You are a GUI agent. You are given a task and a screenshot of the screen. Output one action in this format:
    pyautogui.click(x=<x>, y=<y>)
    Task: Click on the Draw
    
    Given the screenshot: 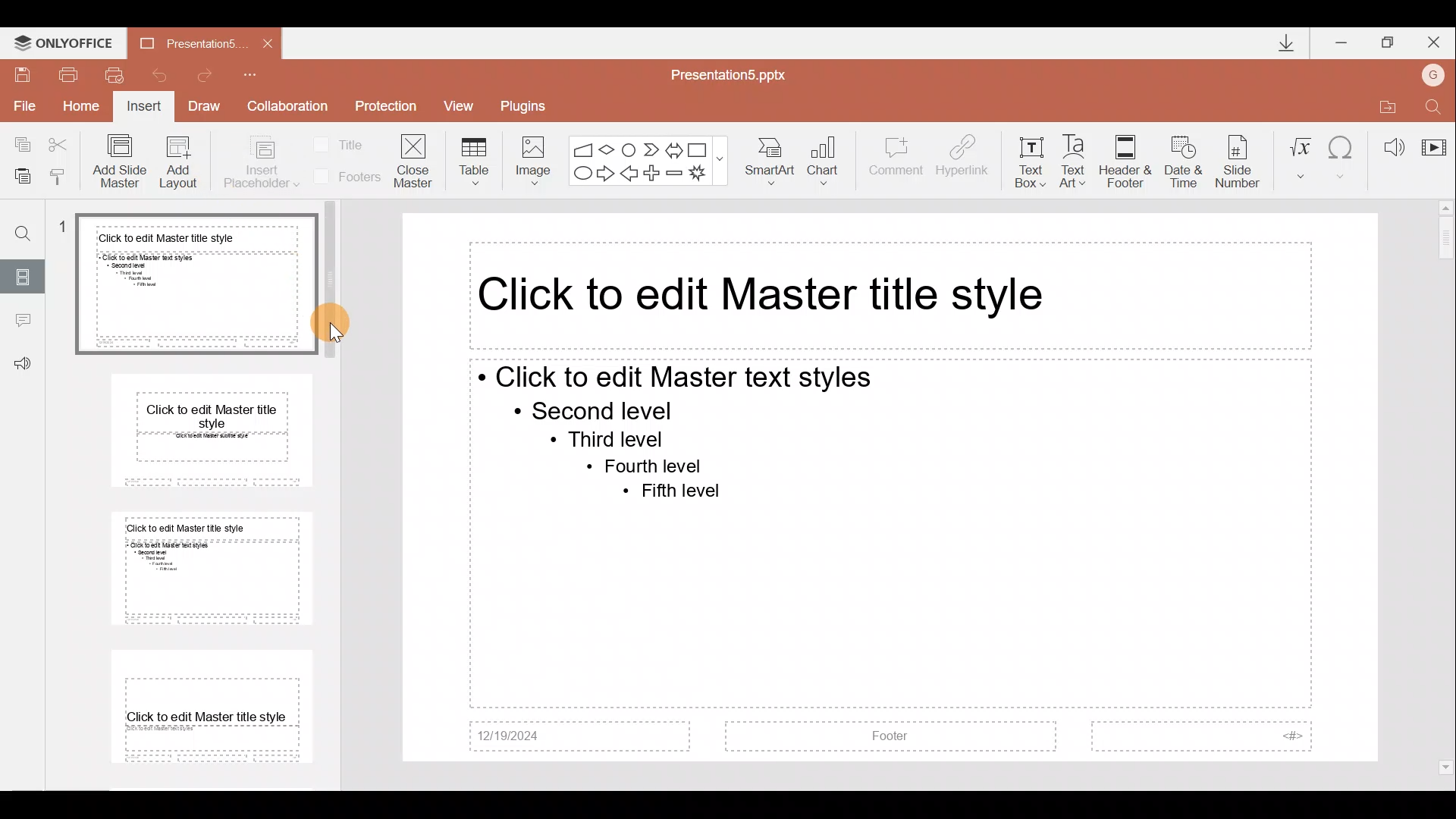 What is the action you would take?
    pyautogui.click(x=209, y=108)
    